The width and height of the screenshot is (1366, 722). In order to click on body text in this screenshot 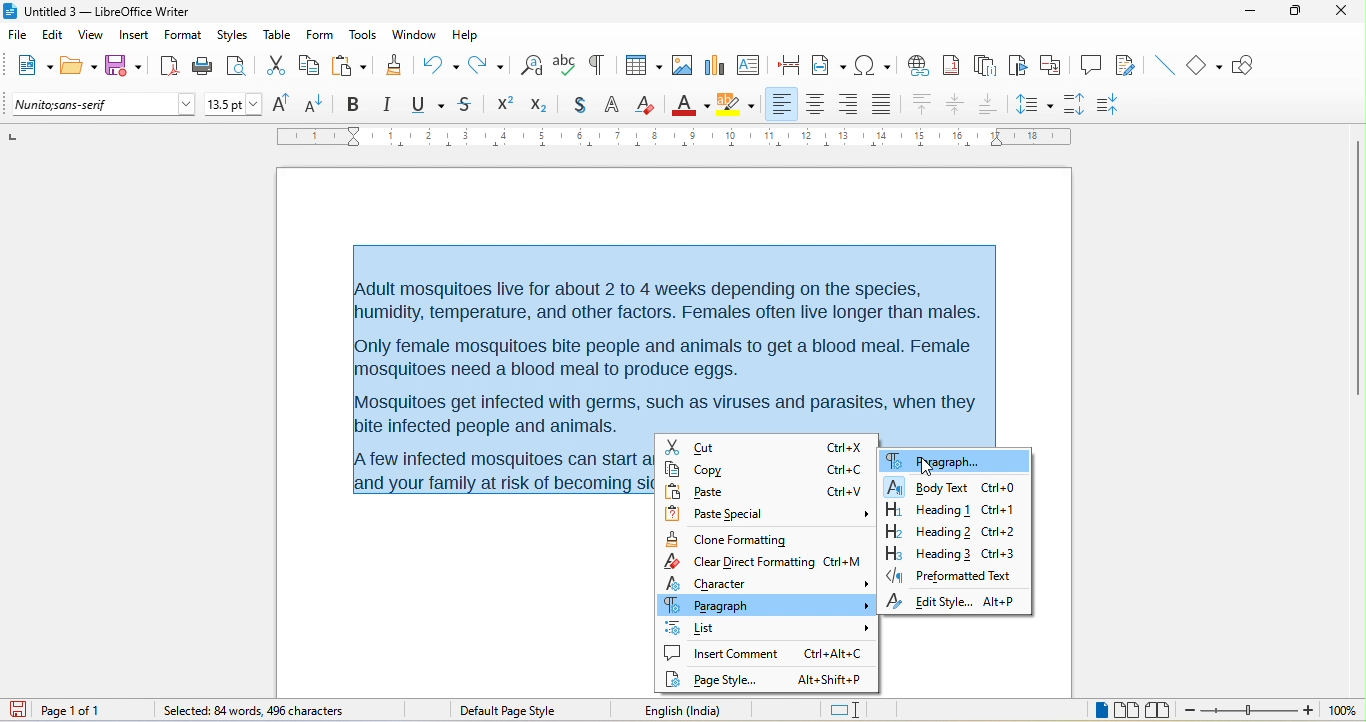, I will do `click(928, 486)`.